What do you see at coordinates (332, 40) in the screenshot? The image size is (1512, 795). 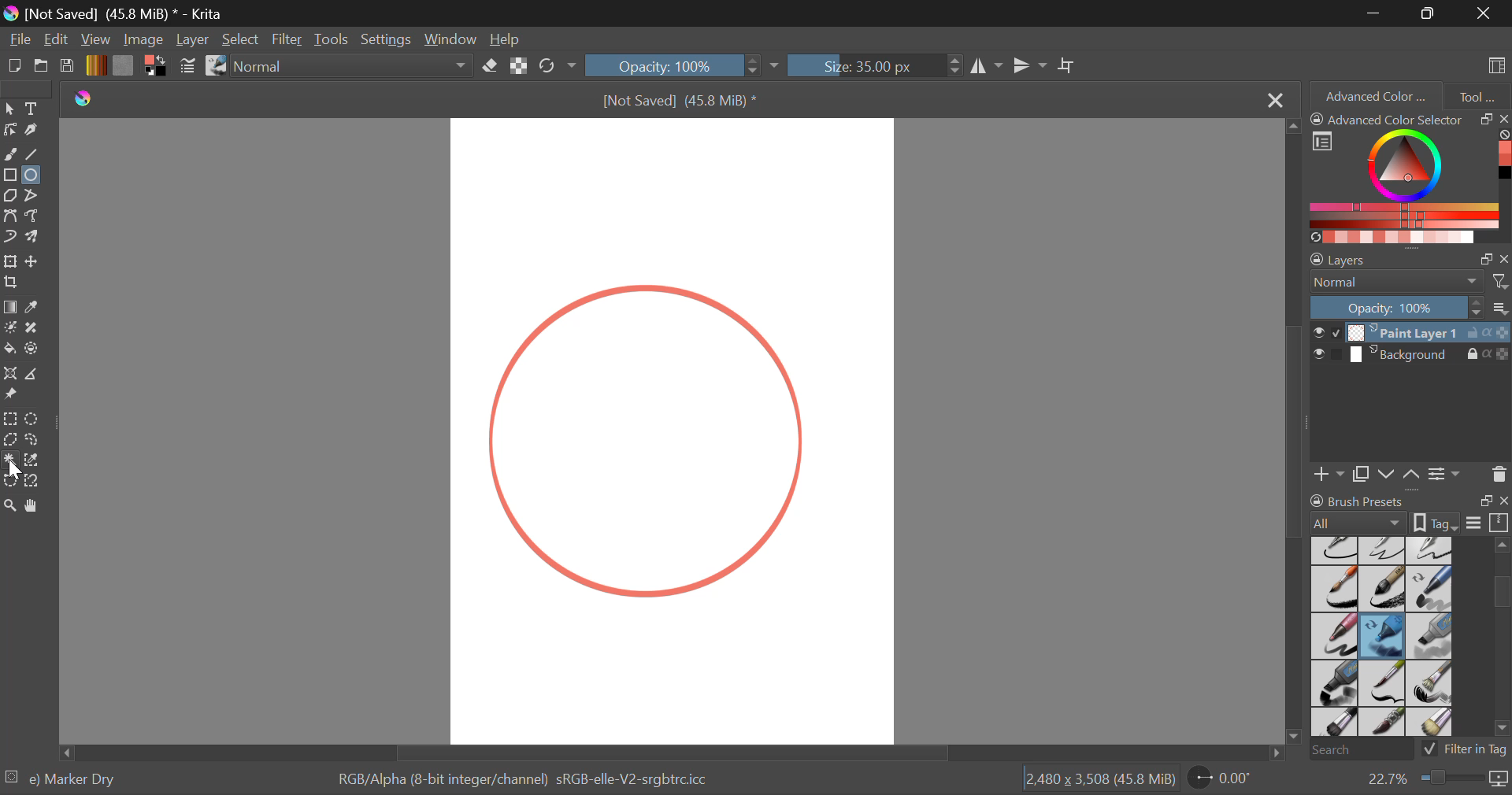 I see `Tools` at bounding box center [332, 40].